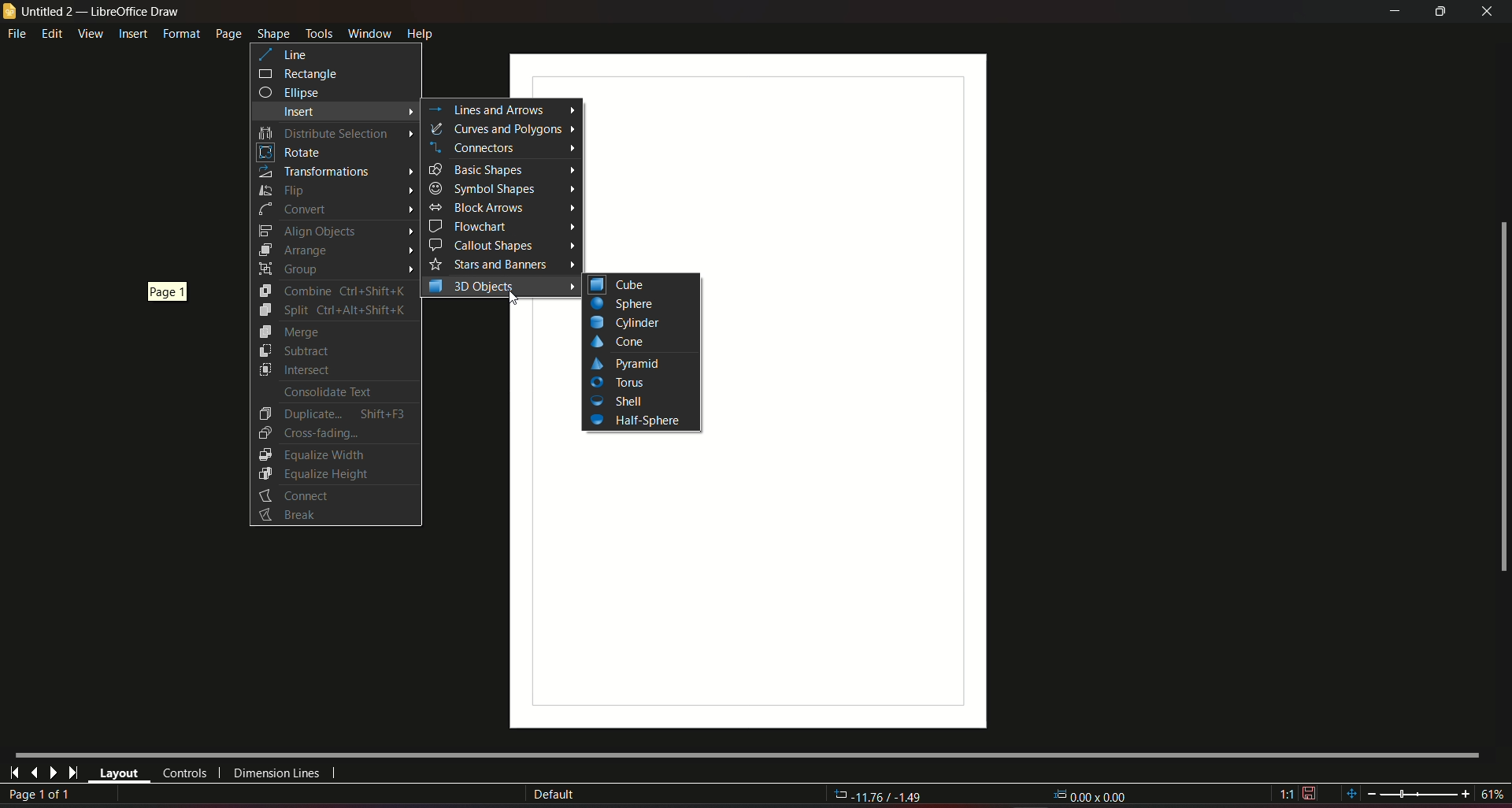 The image size is (1512, 808). Describe the element at coordinates (315, 172) in the screenshot. I see `Transformations` at that location.